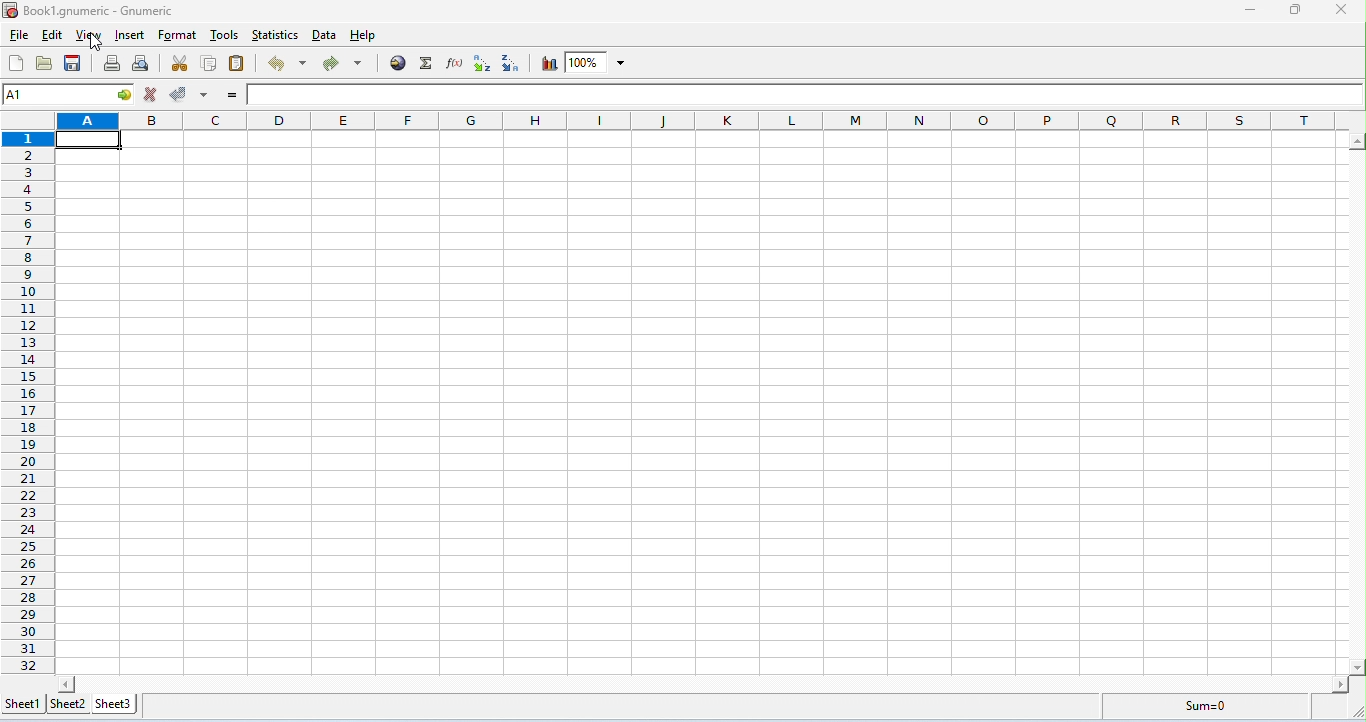  I want to click on function wizard, so click(454, 62).